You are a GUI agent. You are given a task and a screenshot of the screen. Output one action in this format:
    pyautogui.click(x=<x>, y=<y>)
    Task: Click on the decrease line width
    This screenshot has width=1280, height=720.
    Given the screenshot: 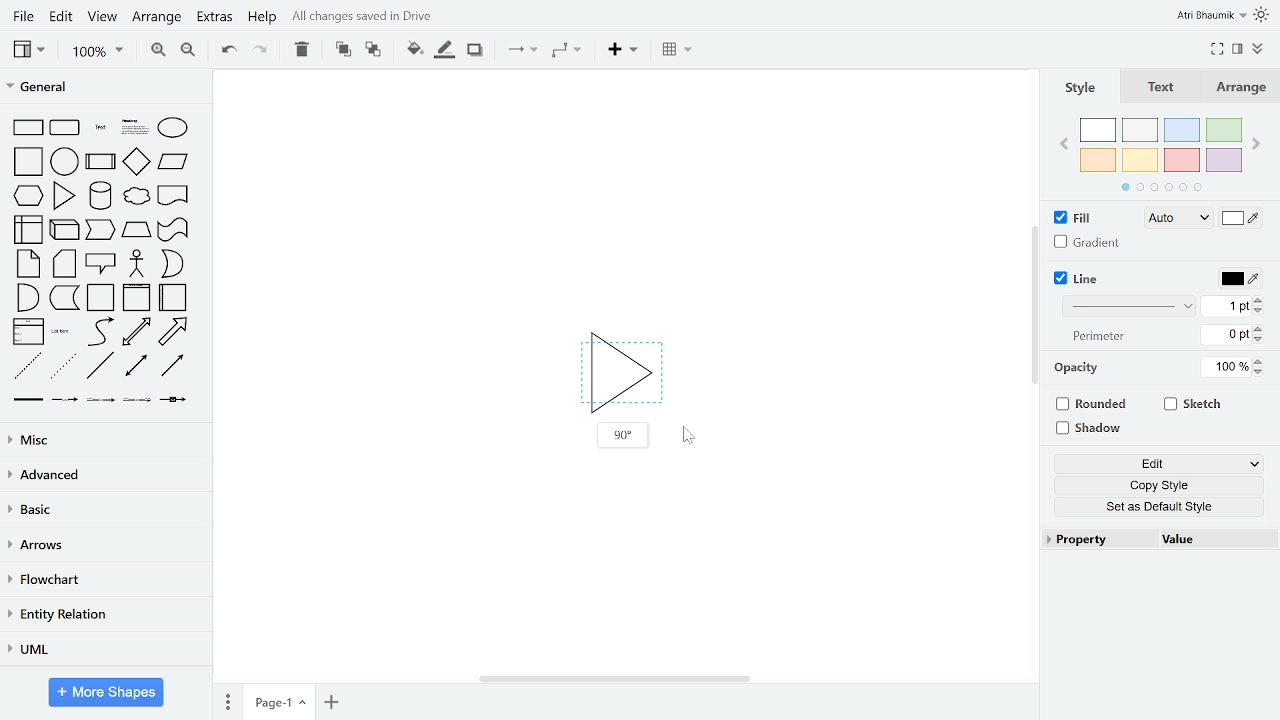 What is the action you would take?
    pyautogui.click(x=1259, y=310)
    